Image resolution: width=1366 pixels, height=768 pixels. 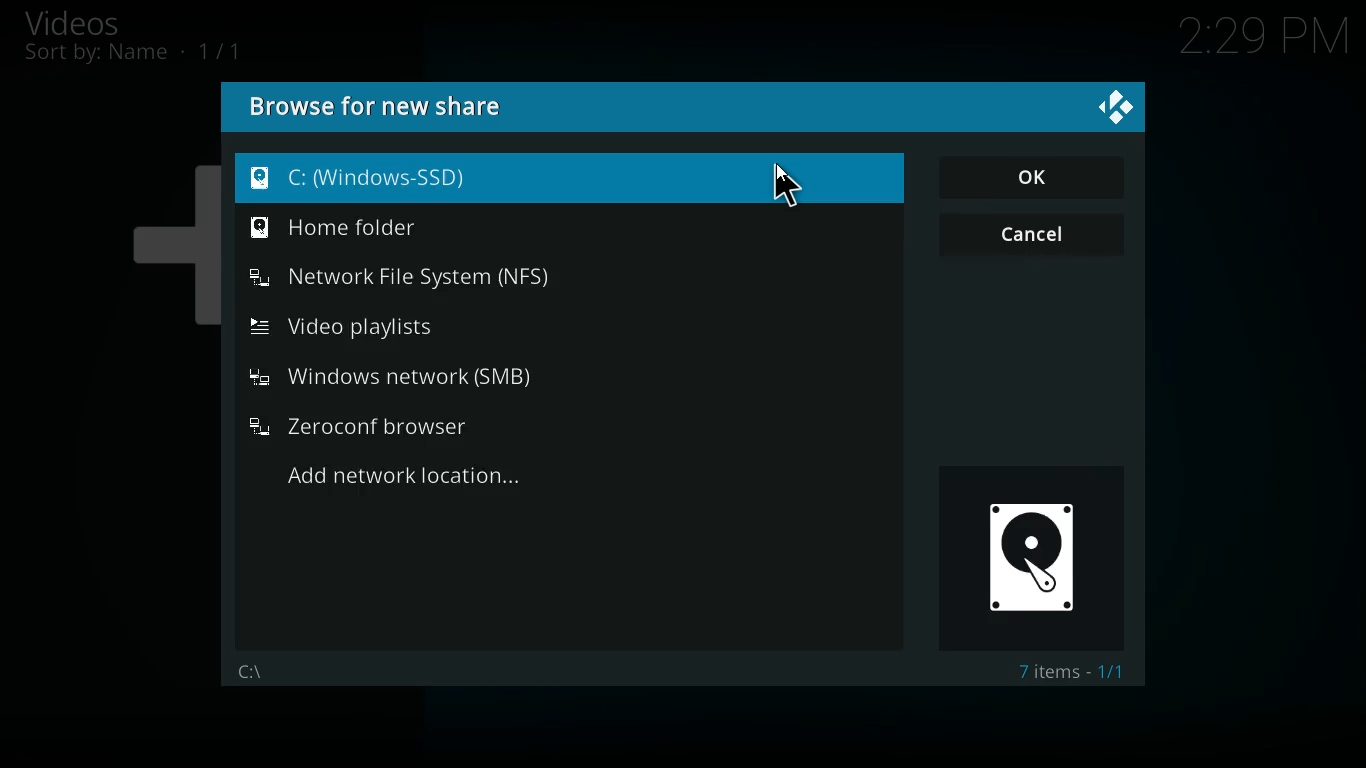 I want to click on add network location, so click(x=432, y=480).